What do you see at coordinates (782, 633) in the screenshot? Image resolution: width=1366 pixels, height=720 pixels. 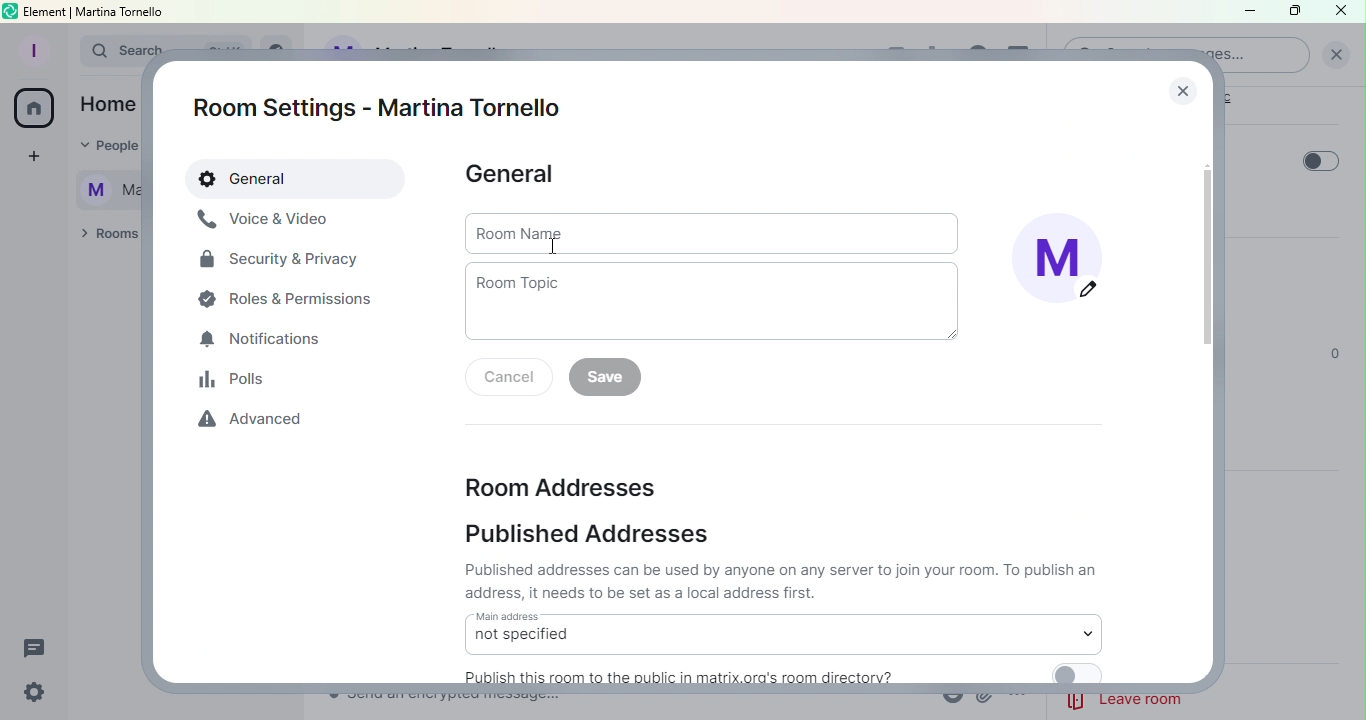 I see `Main address` at bounding box center [782, 633].